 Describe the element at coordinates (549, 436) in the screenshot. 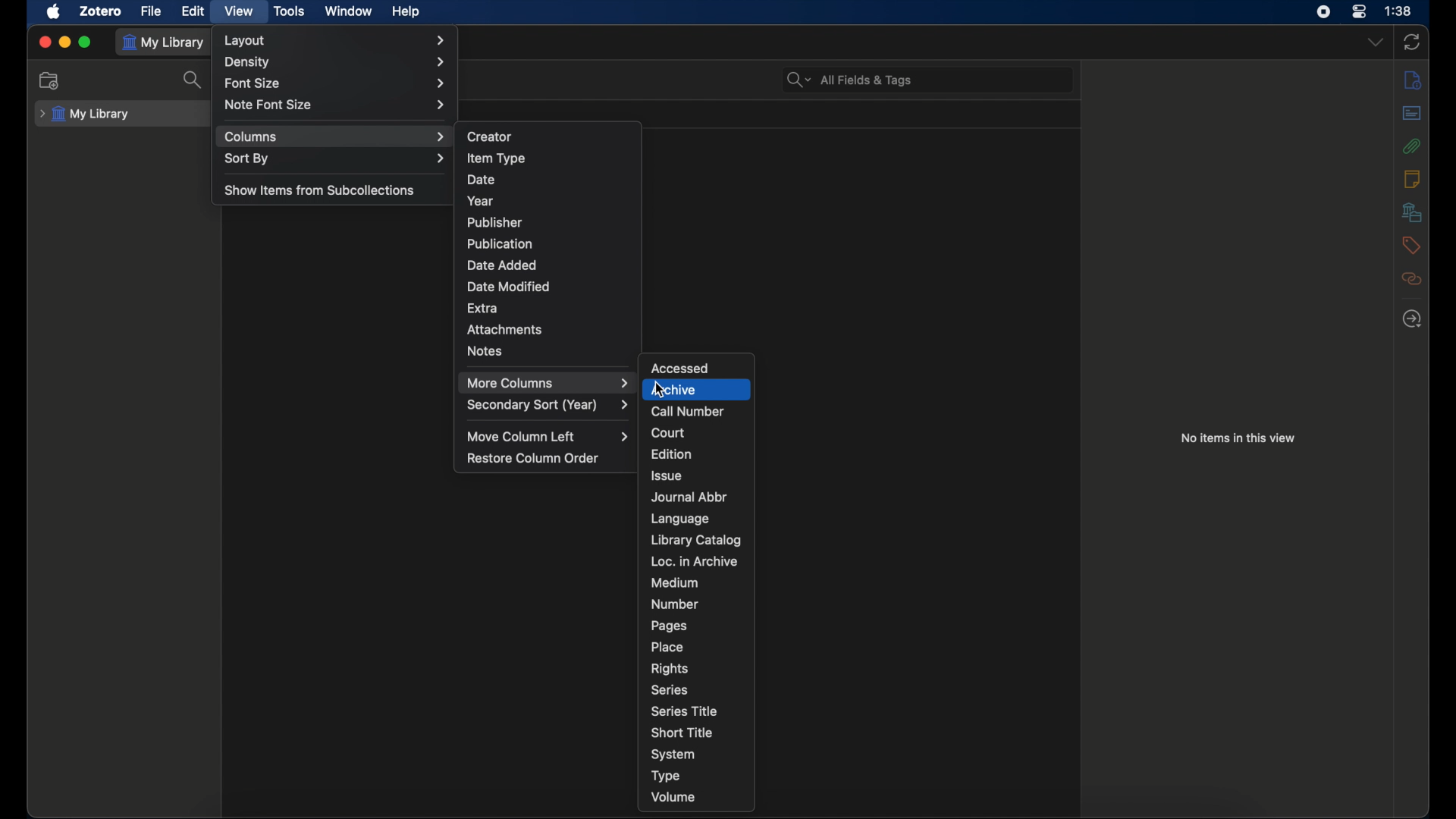

I see `move column left` at that location.